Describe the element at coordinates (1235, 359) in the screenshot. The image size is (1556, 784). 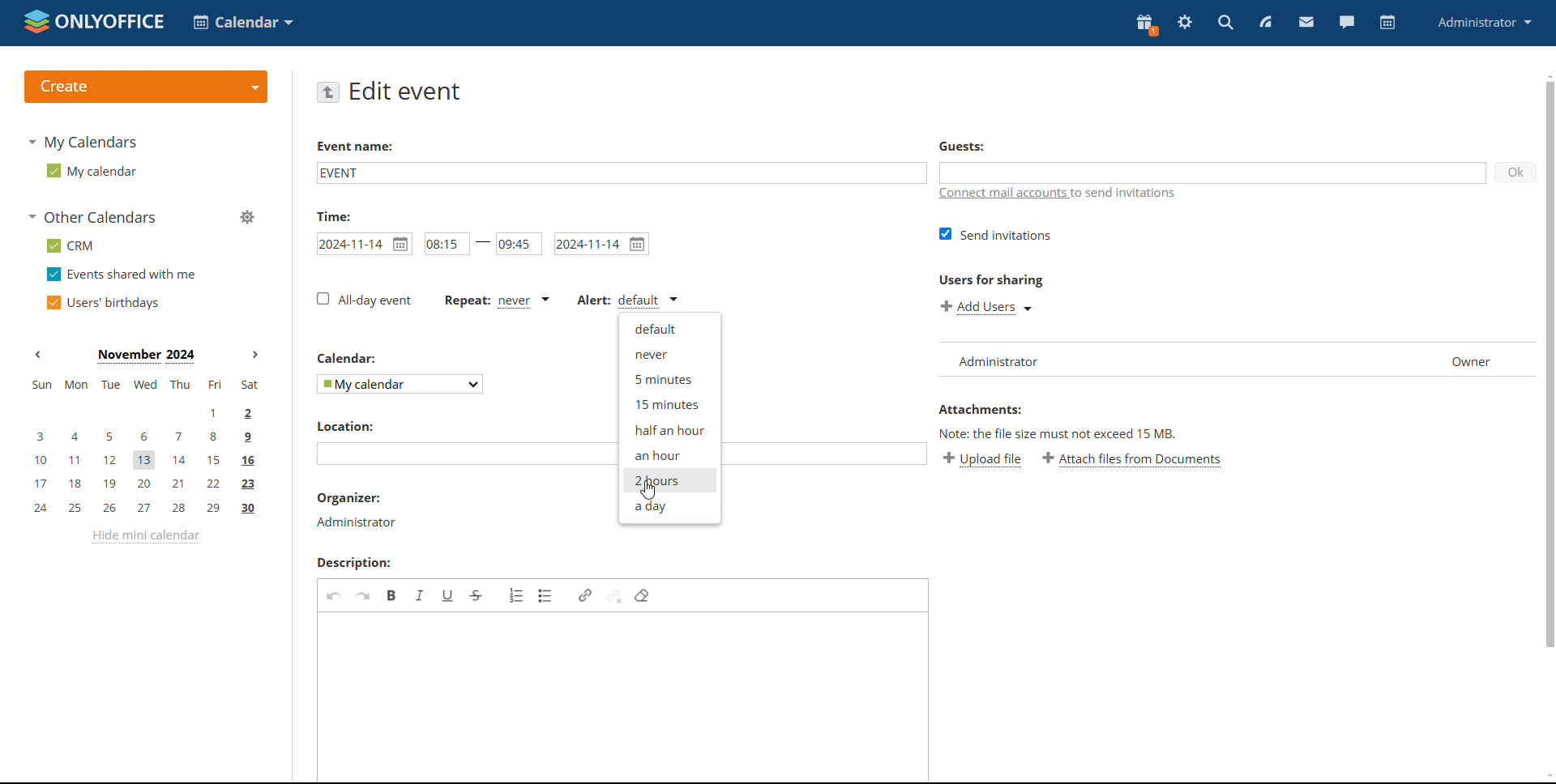
I see `user list` at that location.